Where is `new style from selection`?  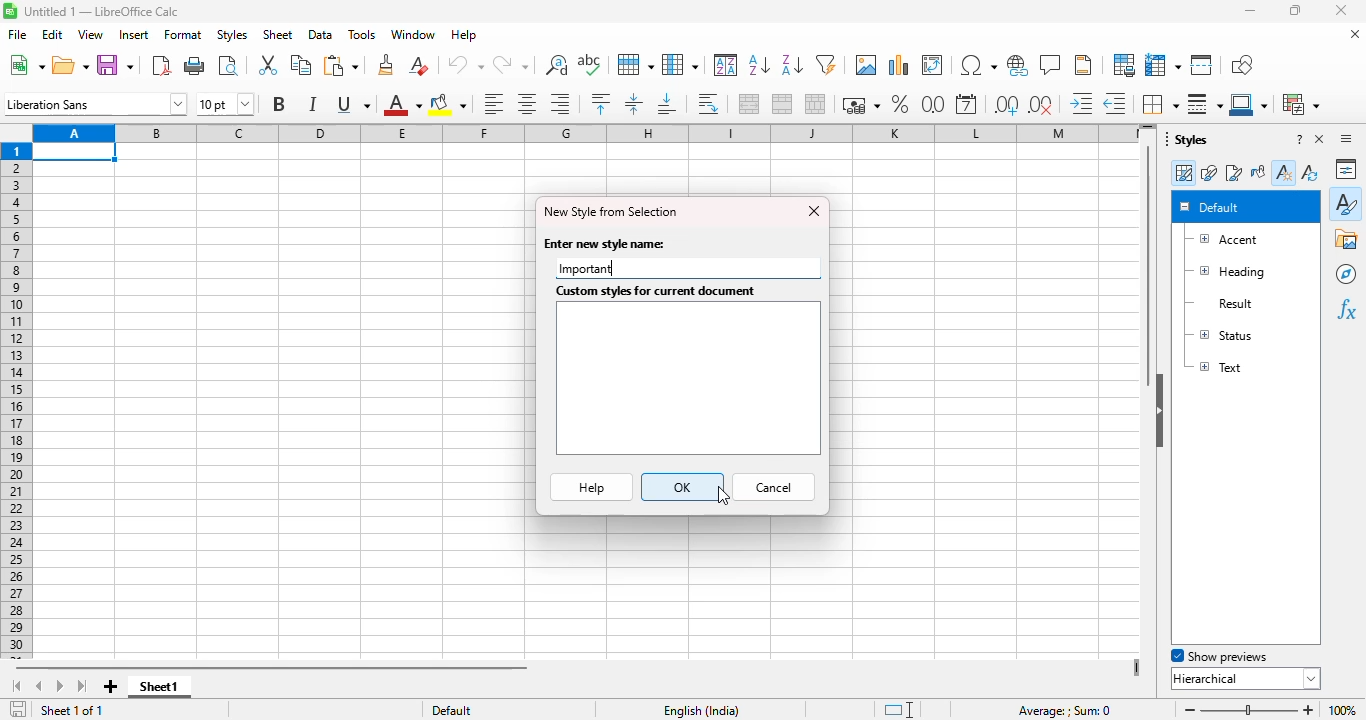 new style from selection is located at coordinates (610, 212).